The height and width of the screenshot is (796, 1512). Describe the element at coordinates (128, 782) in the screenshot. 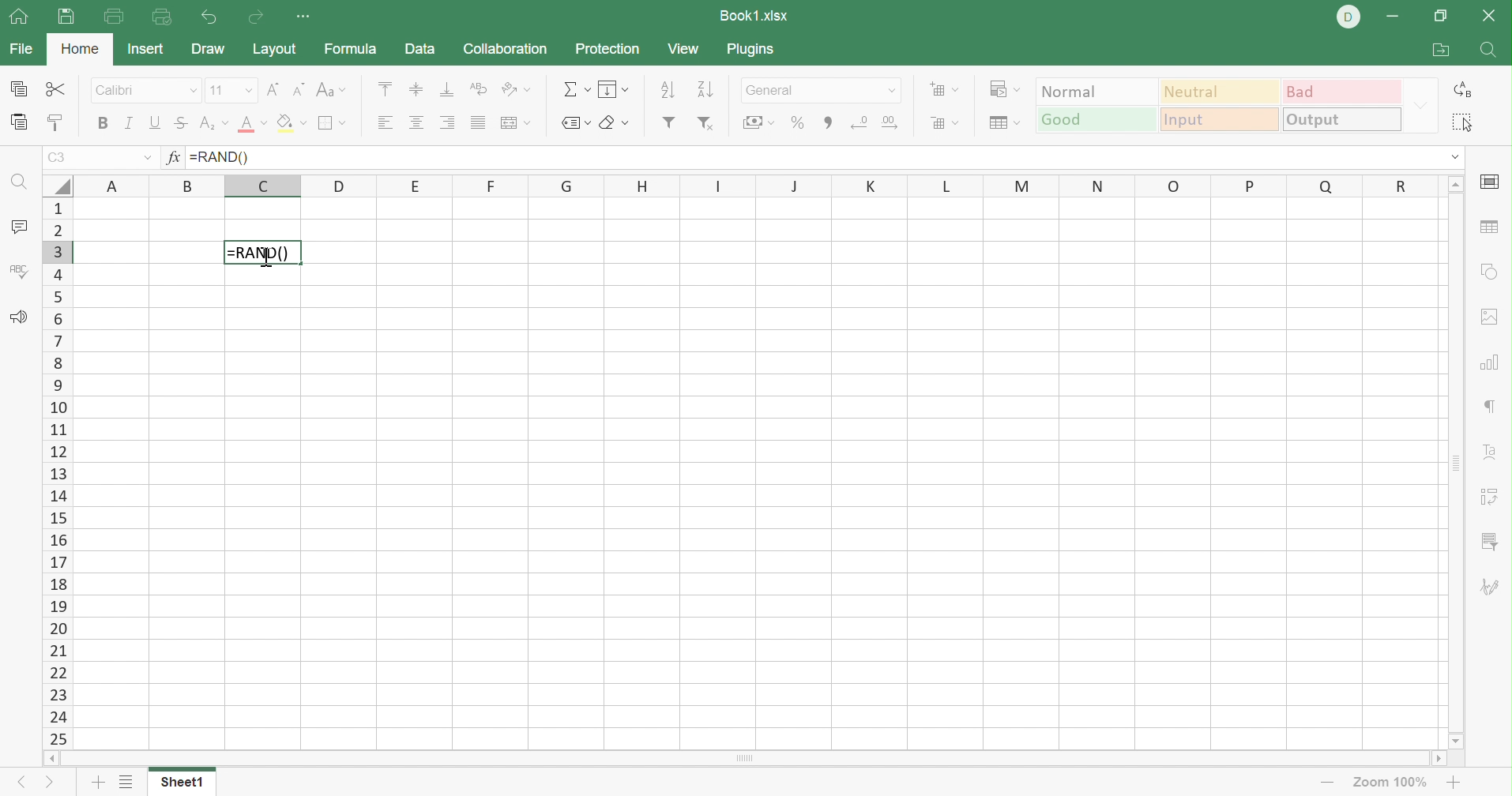

I see `List of sheets` at that location.